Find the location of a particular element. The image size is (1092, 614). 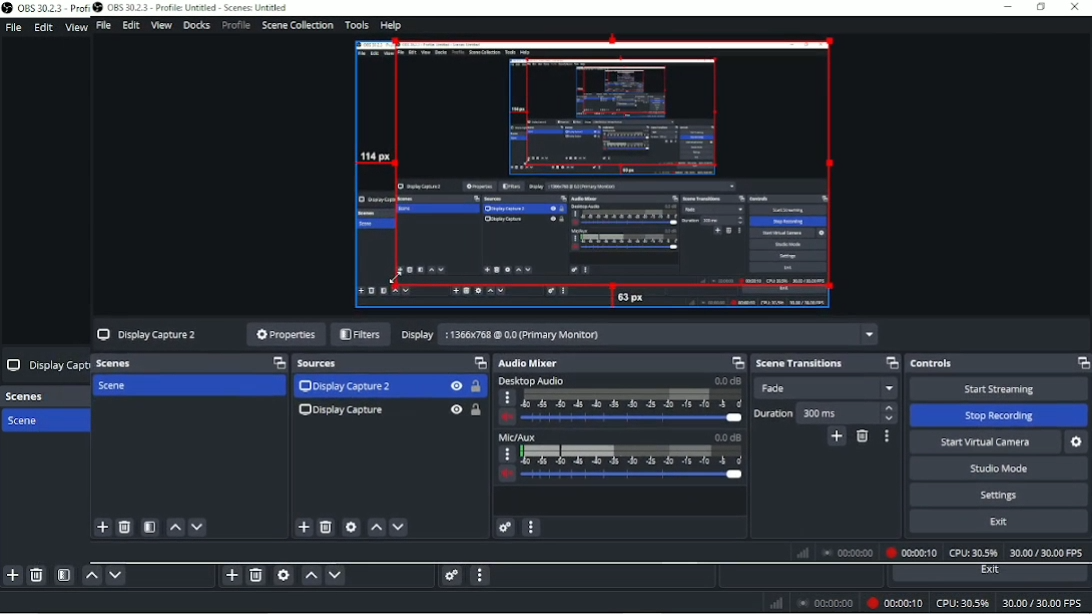

Move scene up is located at coordinates (92, 575).